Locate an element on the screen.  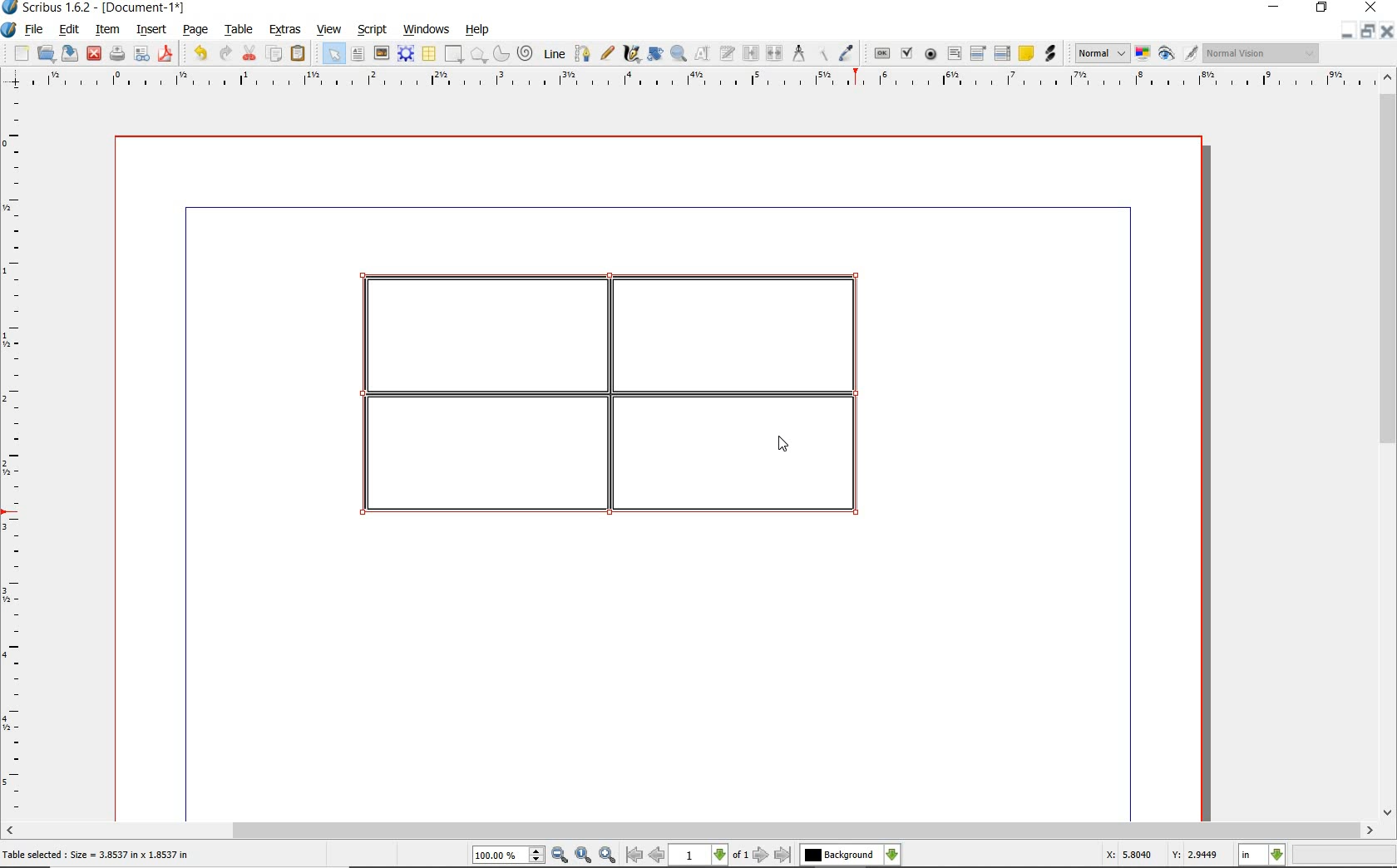
save is located at coordinates (71, 52).